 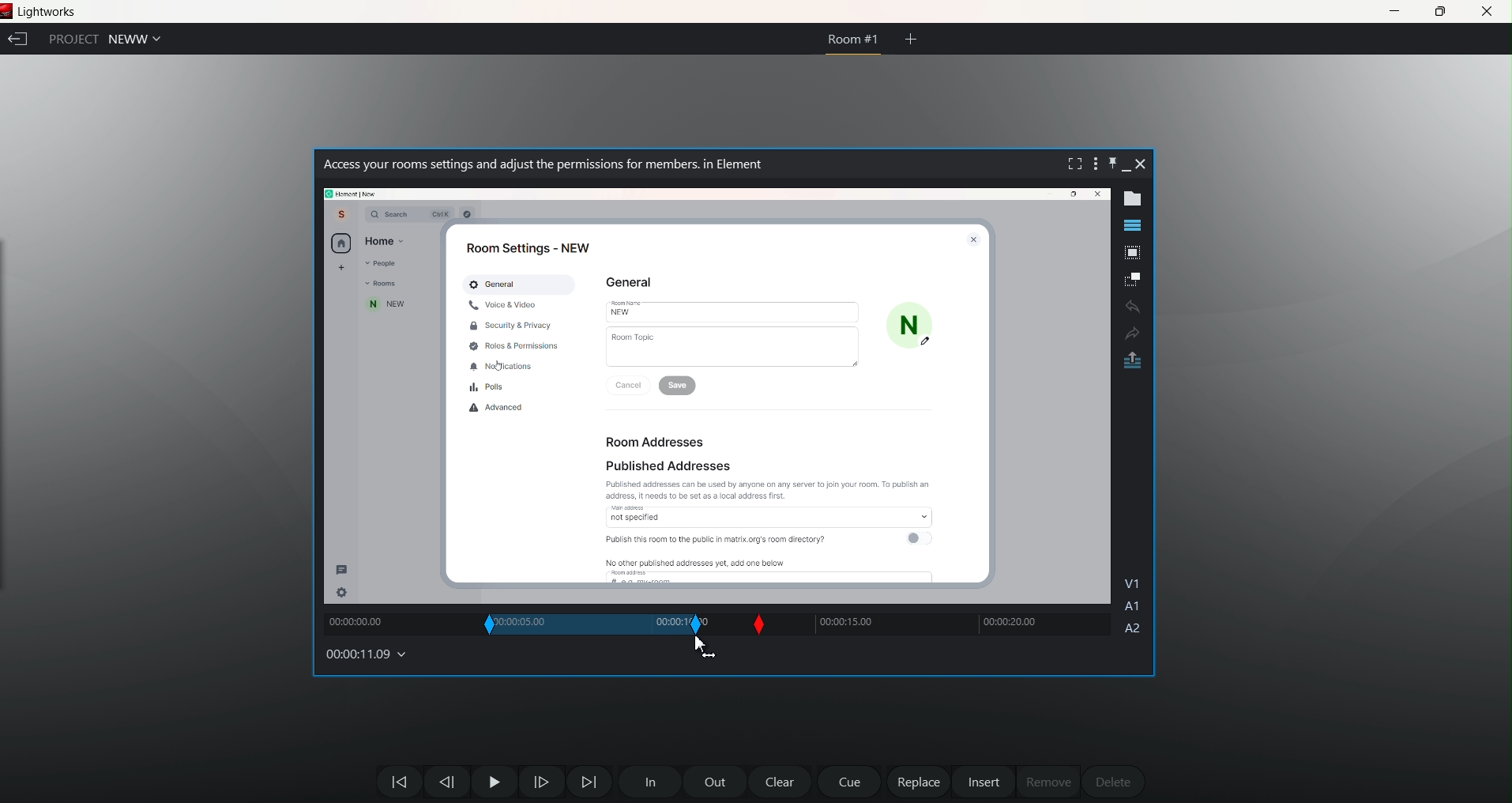 I want to click on Notifications, so click(x=504, y=366).